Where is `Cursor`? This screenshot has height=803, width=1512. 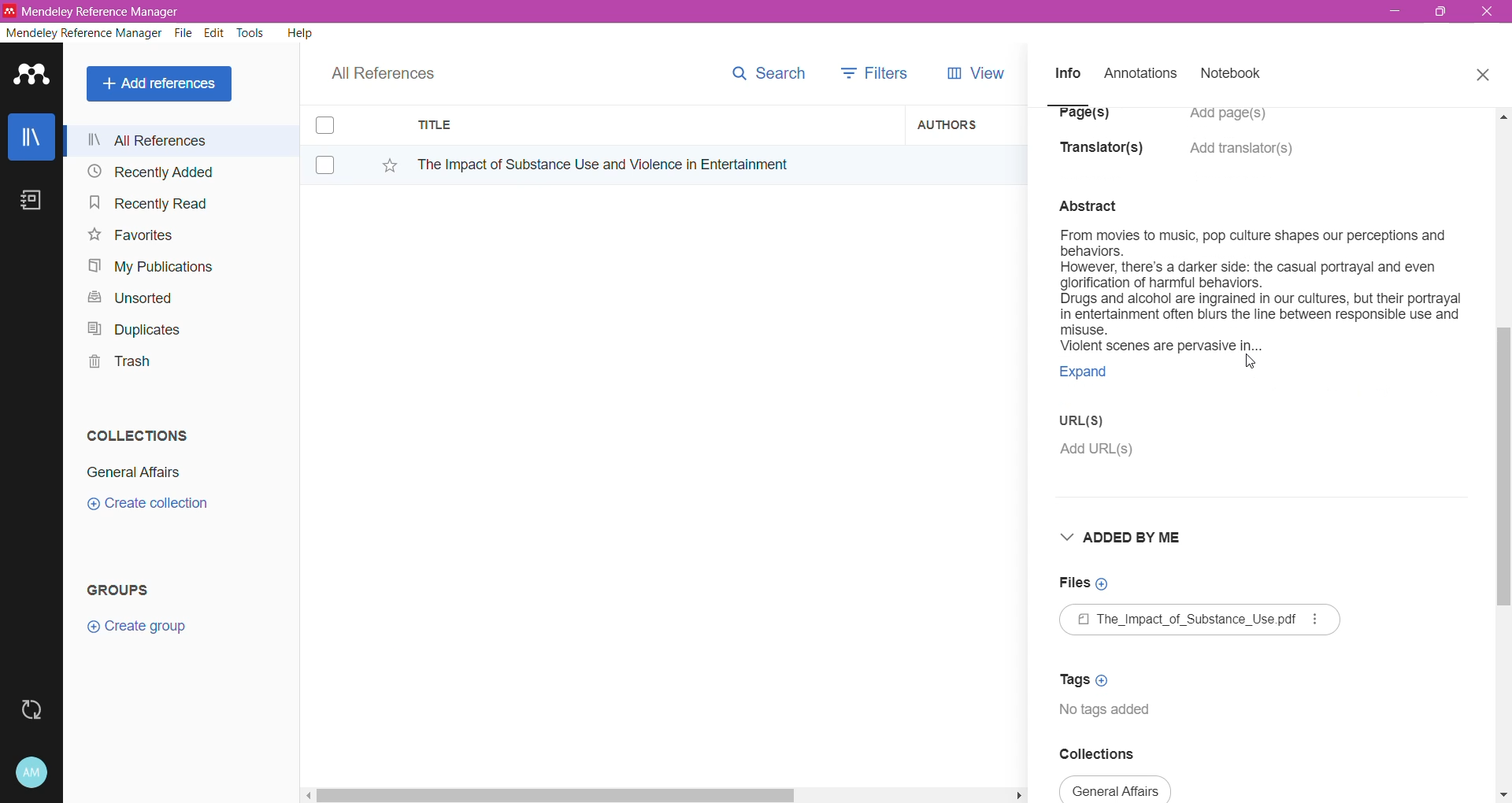 Cursor is located at coordinates (1247, 363).